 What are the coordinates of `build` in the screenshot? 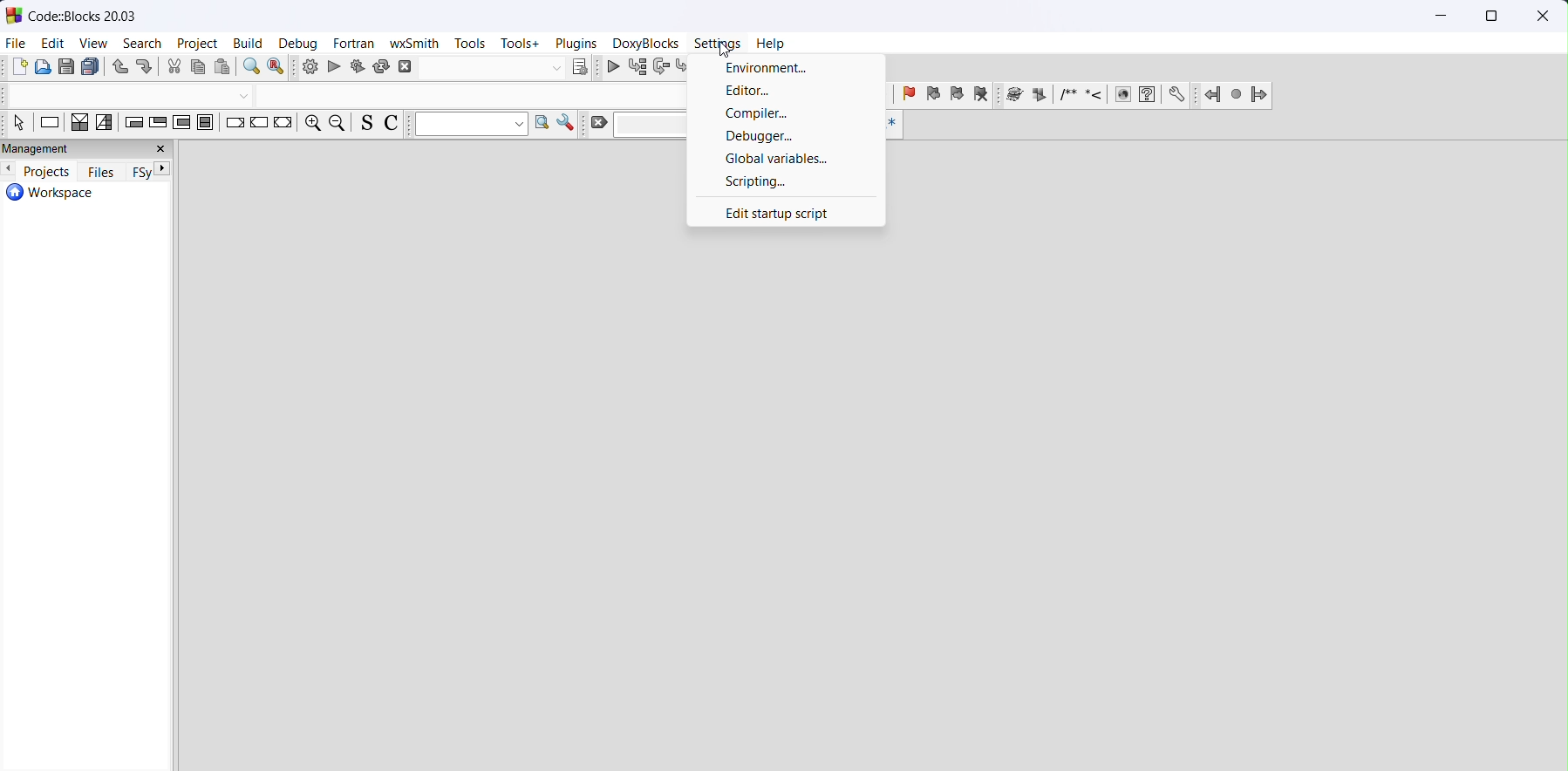 It's located at (249, 44).